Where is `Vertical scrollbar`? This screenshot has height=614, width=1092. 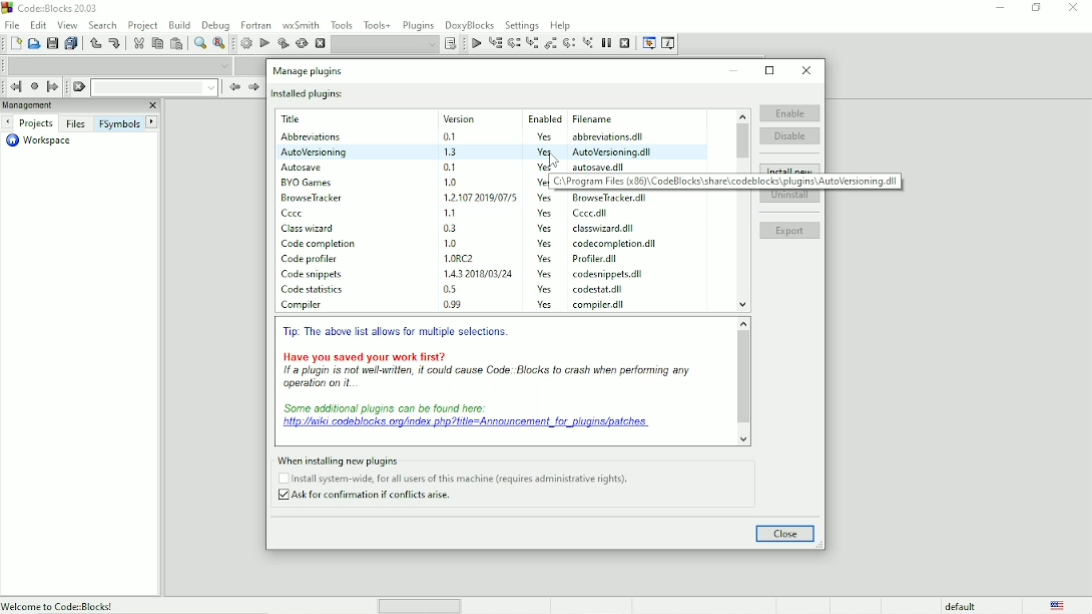 Vertical scrollbar is located at coordinates (744, 382).